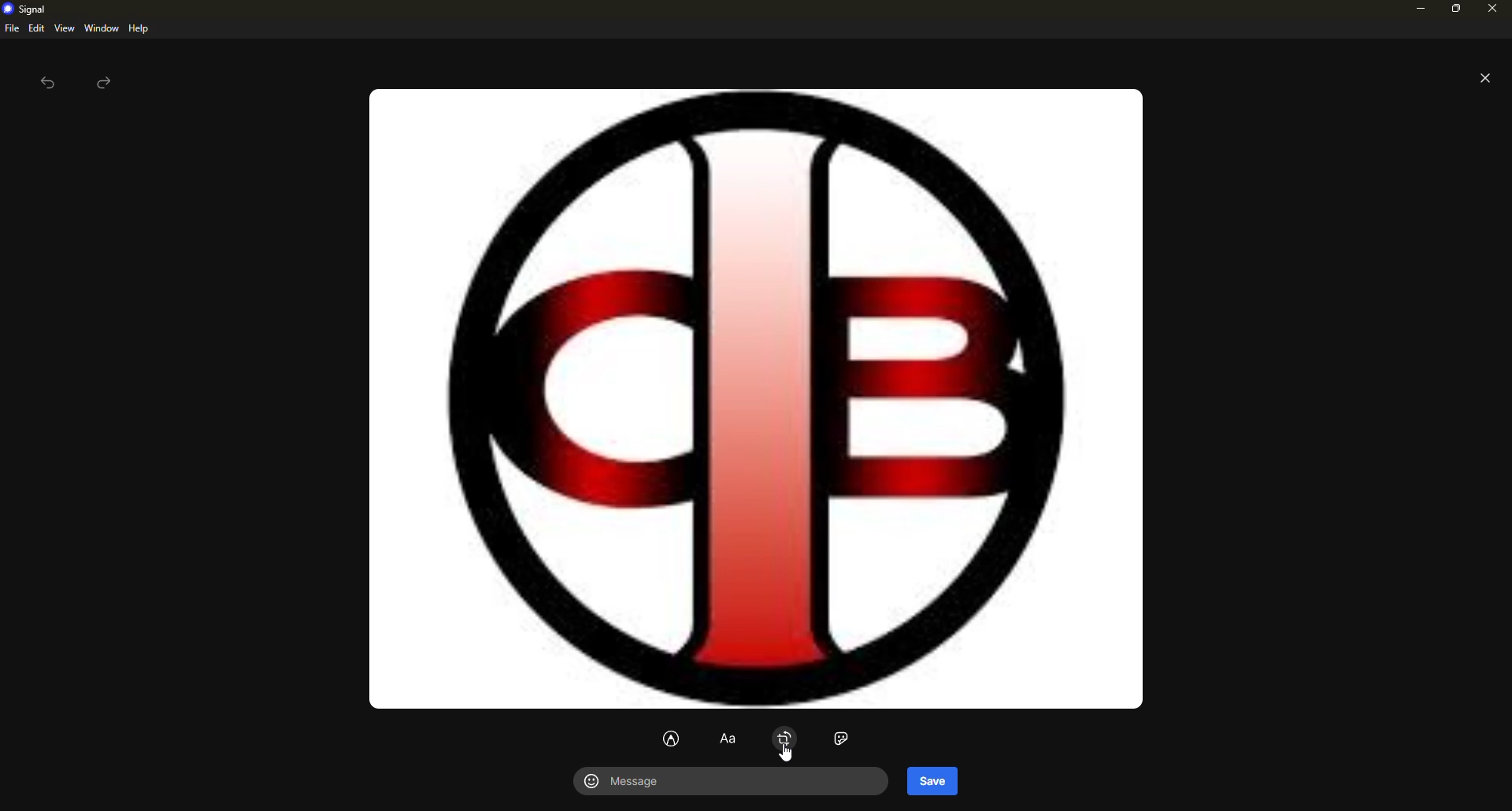  What do you see at coordinates (841, 740) in the screenshot?
I see `sticker` at bounding box center [841, 740].